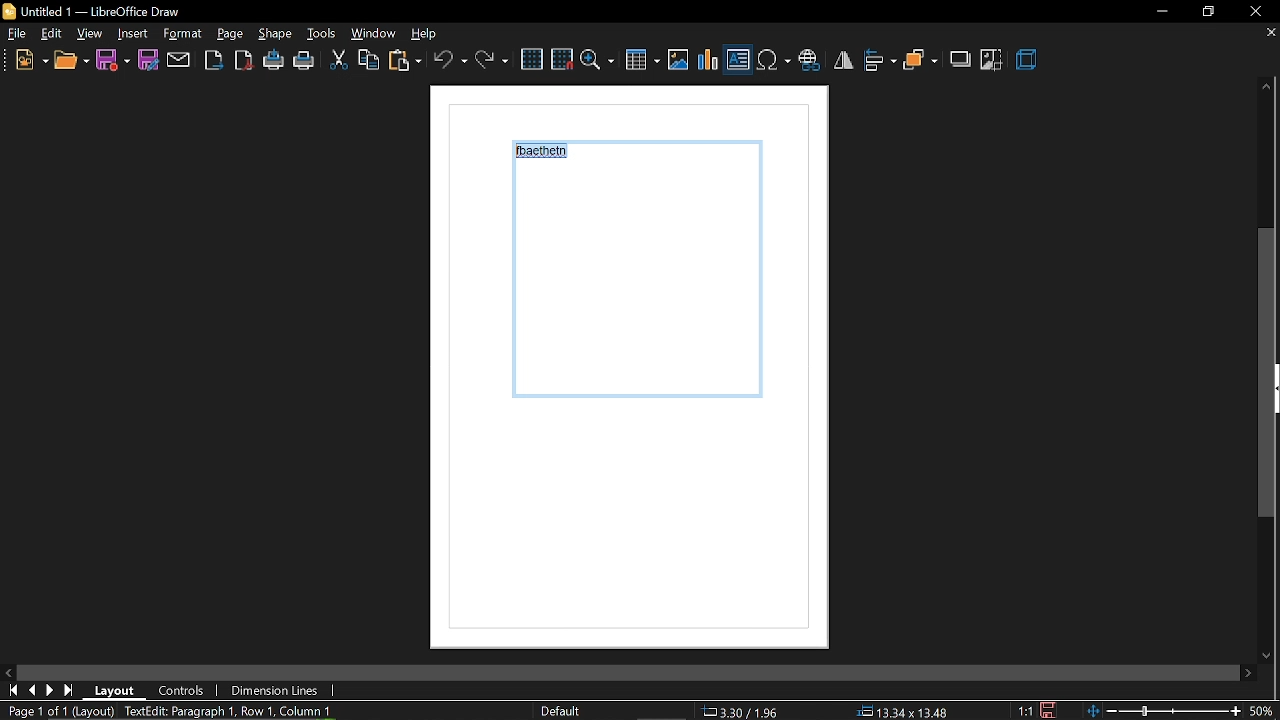 Image resolution: width=1280 pixels, height=720 pixels. I want to click on shape, so click(132, 34).